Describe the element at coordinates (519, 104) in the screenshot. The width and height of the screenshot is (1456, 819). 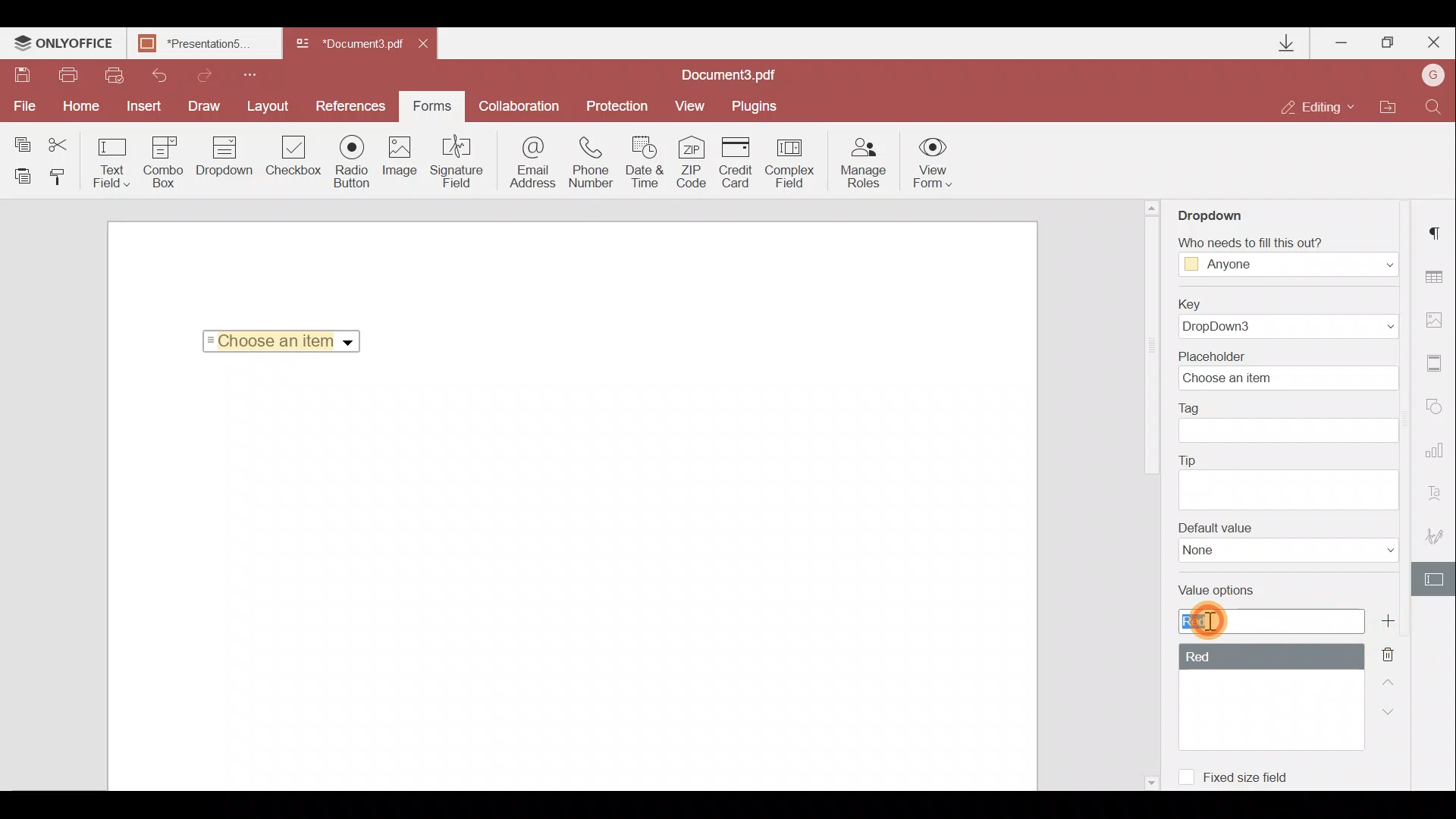
I see `Collaboration` at that location.